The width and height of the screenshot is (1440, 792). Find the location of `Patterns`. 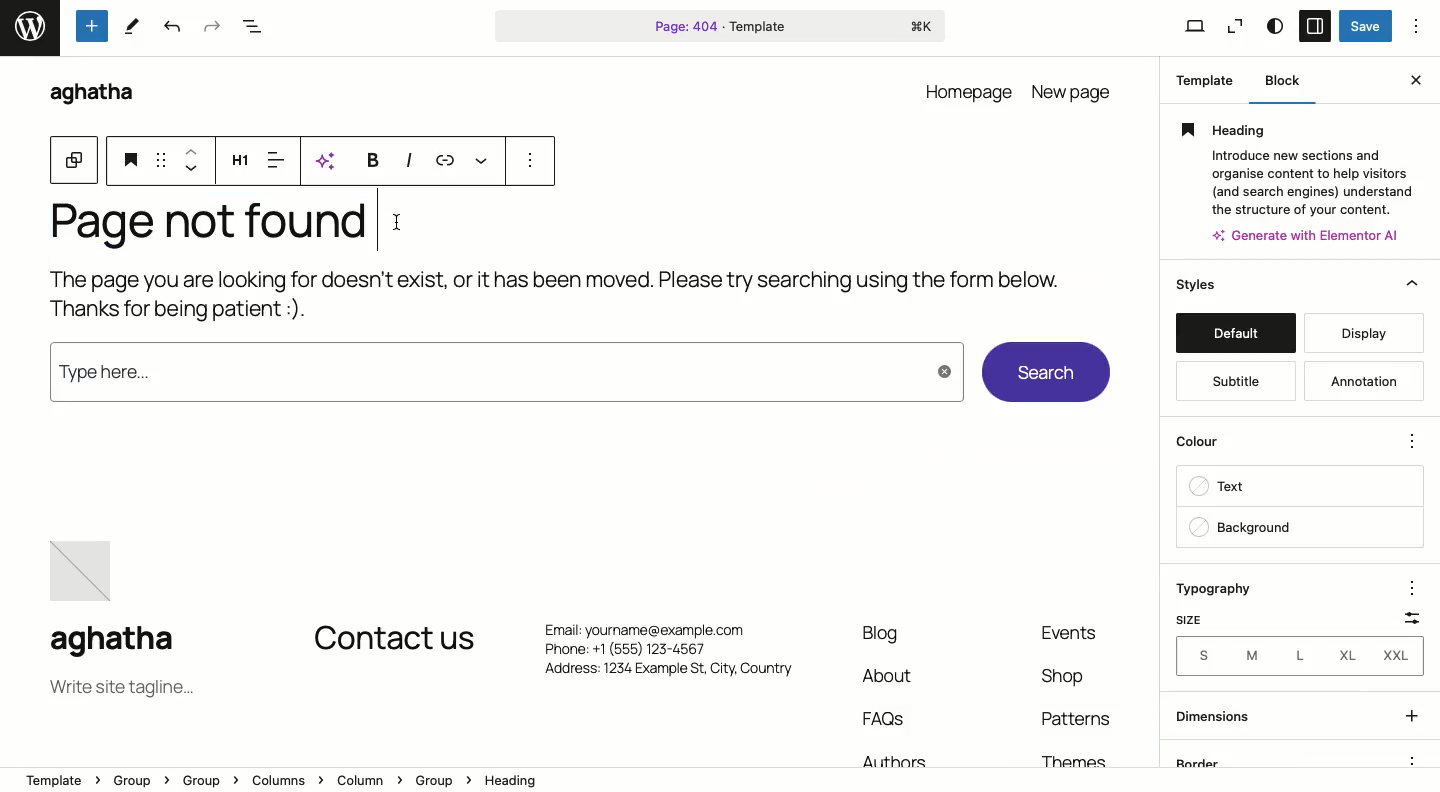

Patterns is located at coordinates (1081, 725).